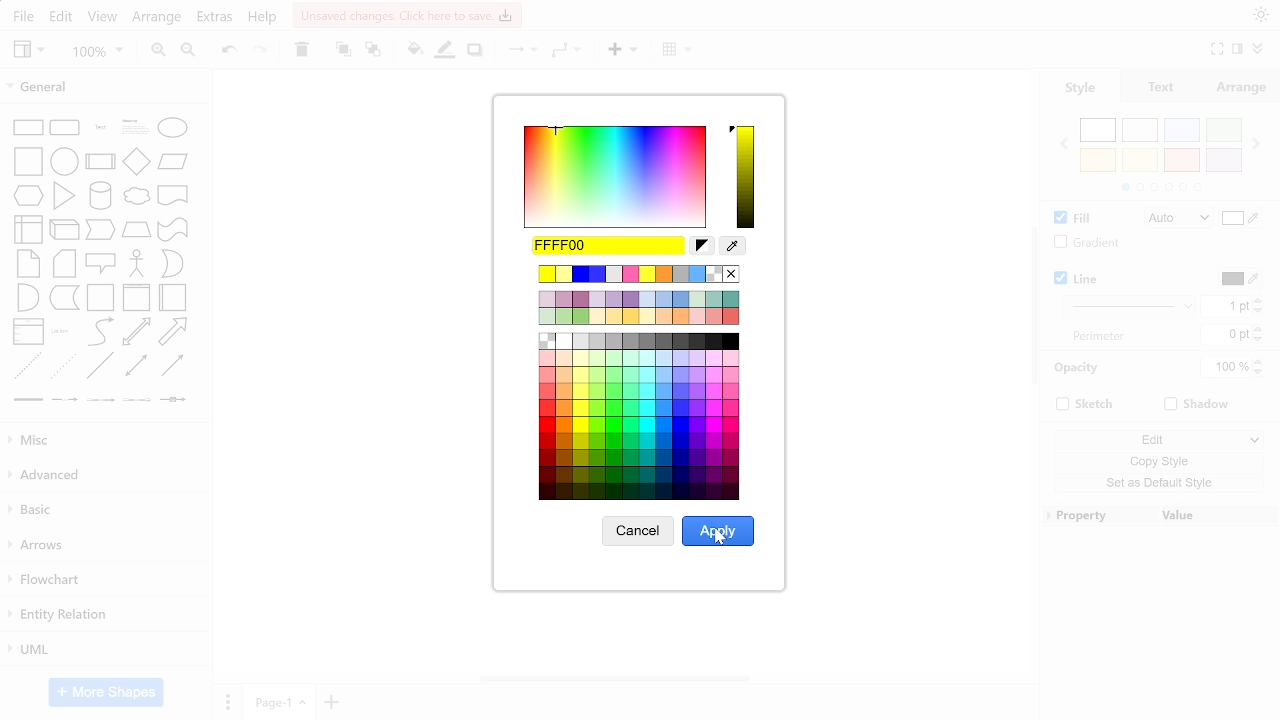 The height and width of the screenshot is (720, 1280). I want to click on color picker, so click(734, 246).